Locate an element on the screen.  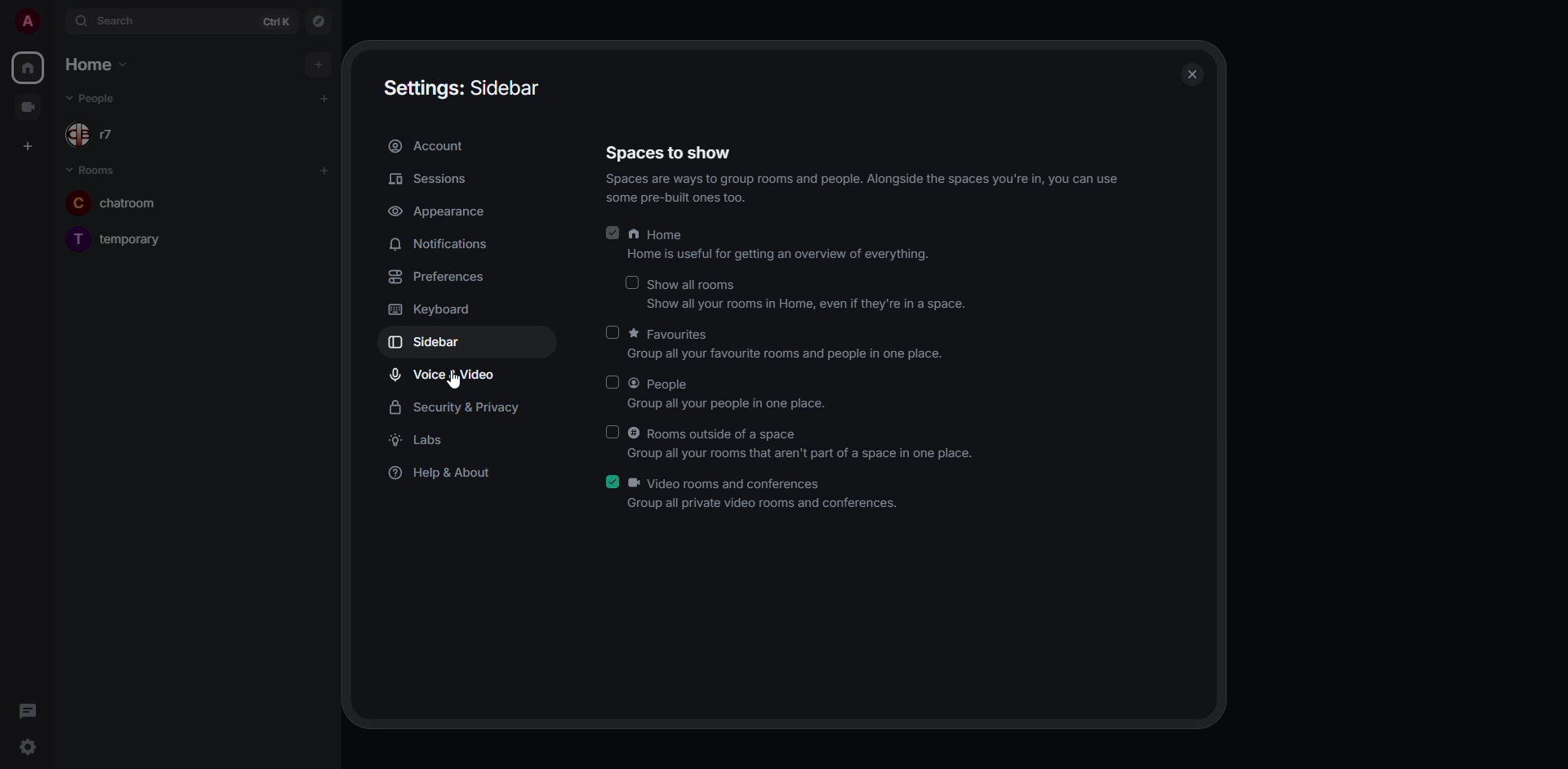
rooms outside of a space is located at coordinates (809, 435).